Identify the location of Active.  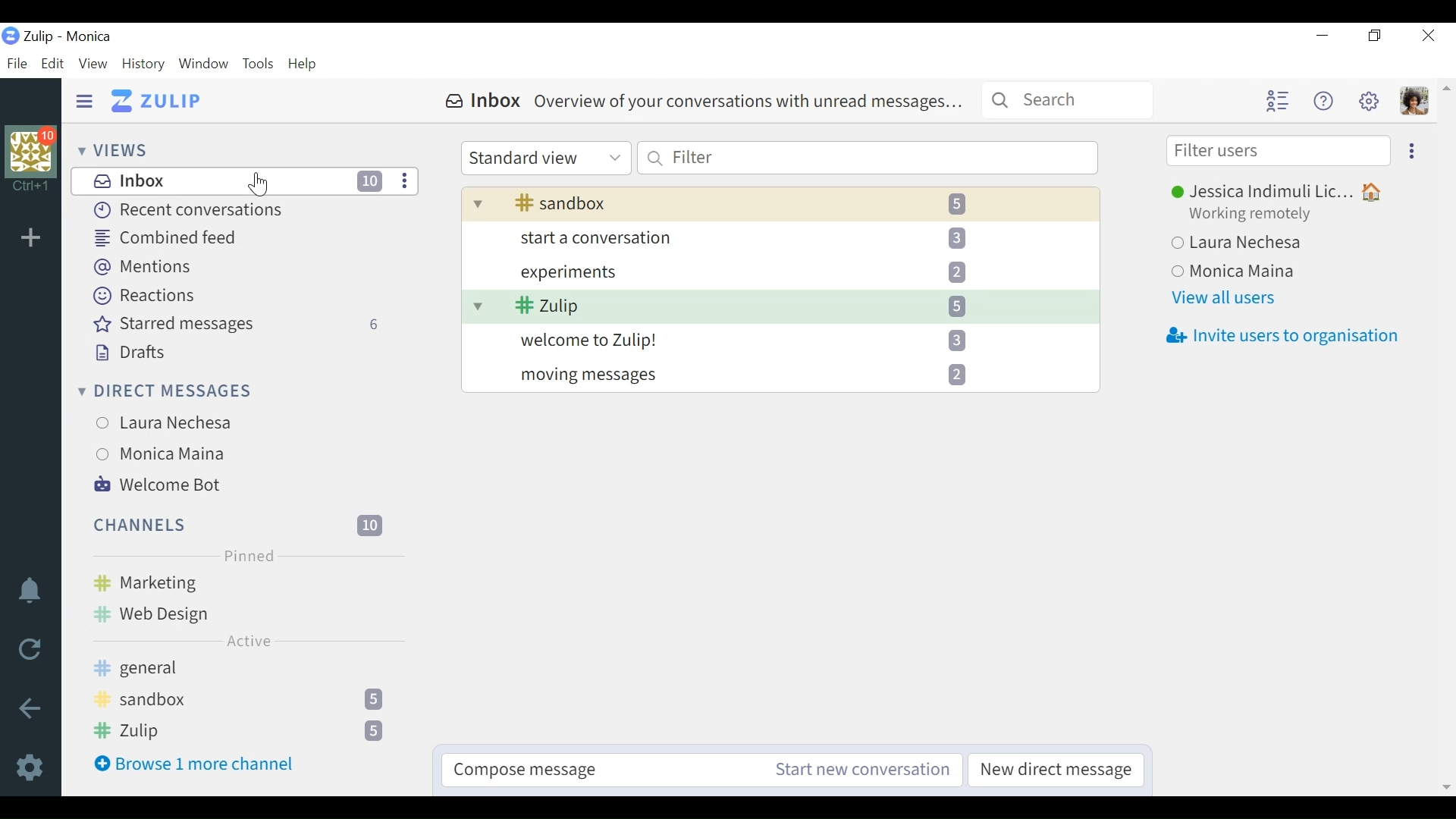
(247, 642).